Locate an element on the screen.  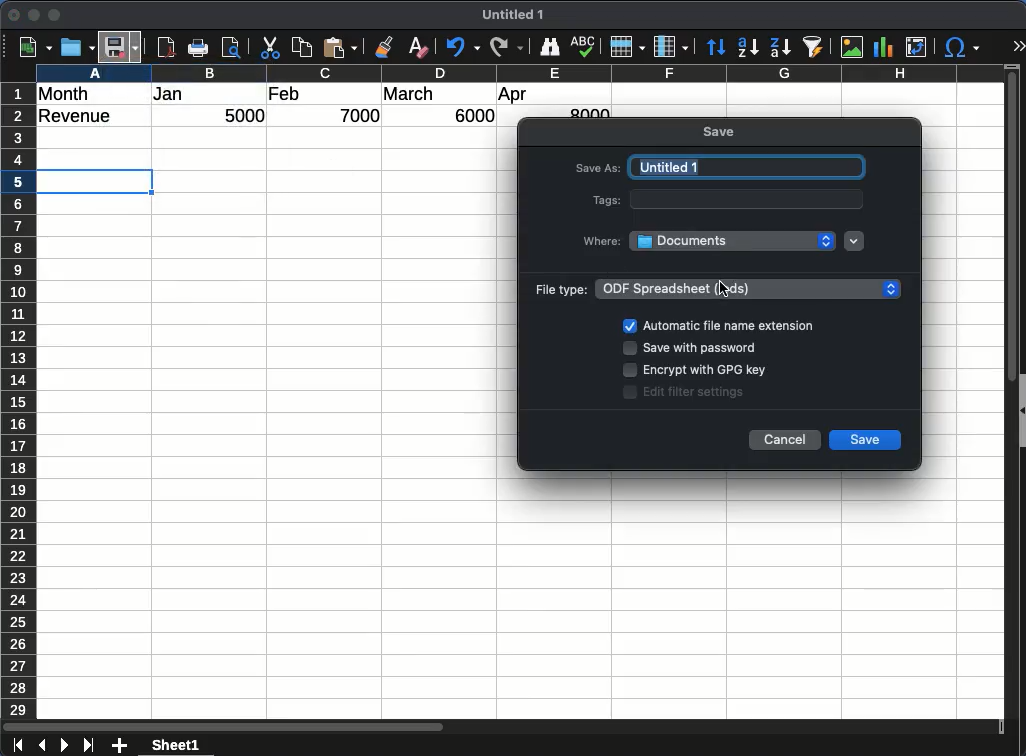
untitled 1 is located at coordinates (746, 167).